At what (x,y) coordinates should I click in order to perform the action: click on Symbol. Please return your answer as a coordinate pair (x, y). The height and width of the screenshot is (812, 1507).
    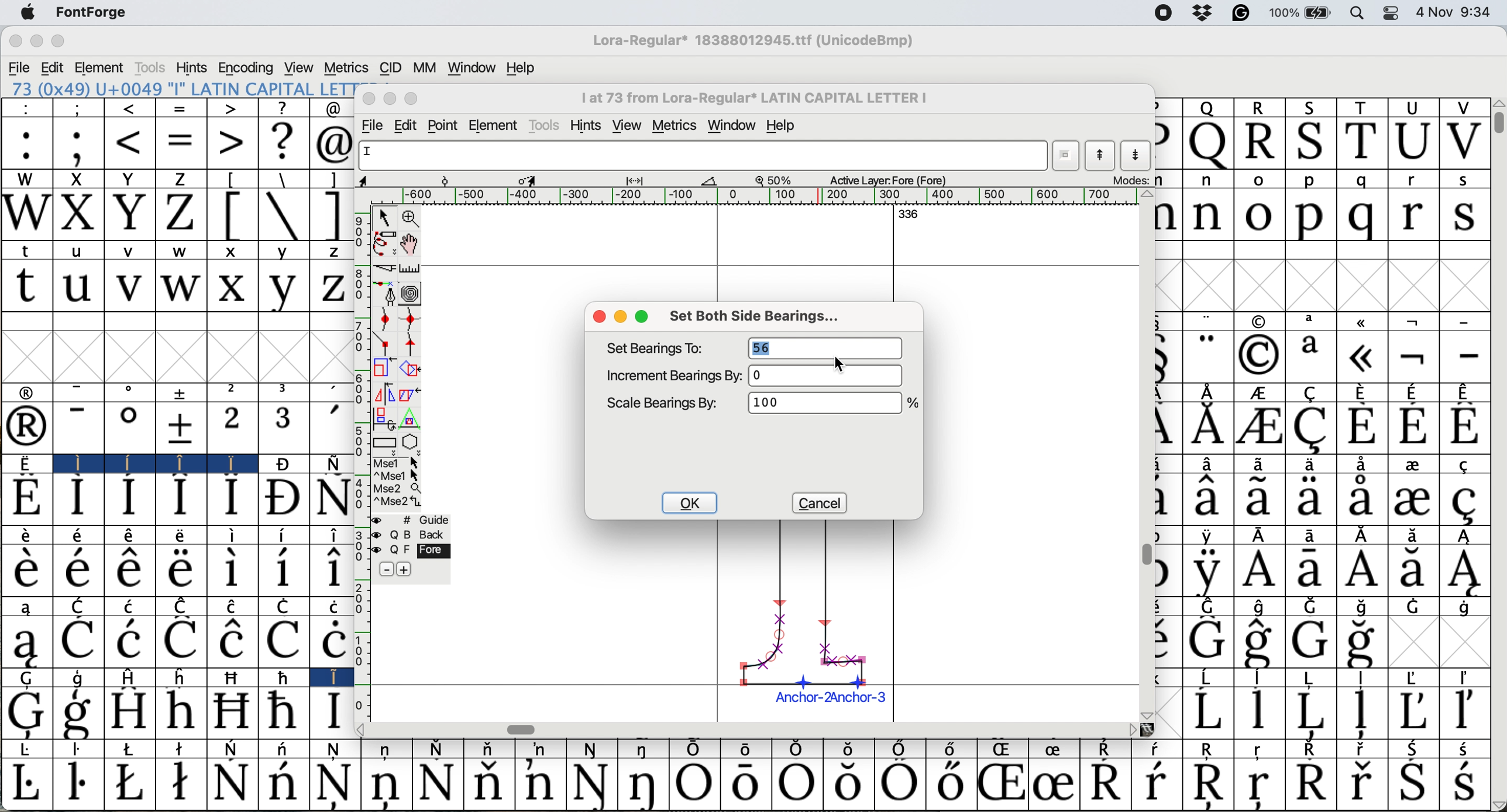
    Looking at the image, I should click on (1314, 607).